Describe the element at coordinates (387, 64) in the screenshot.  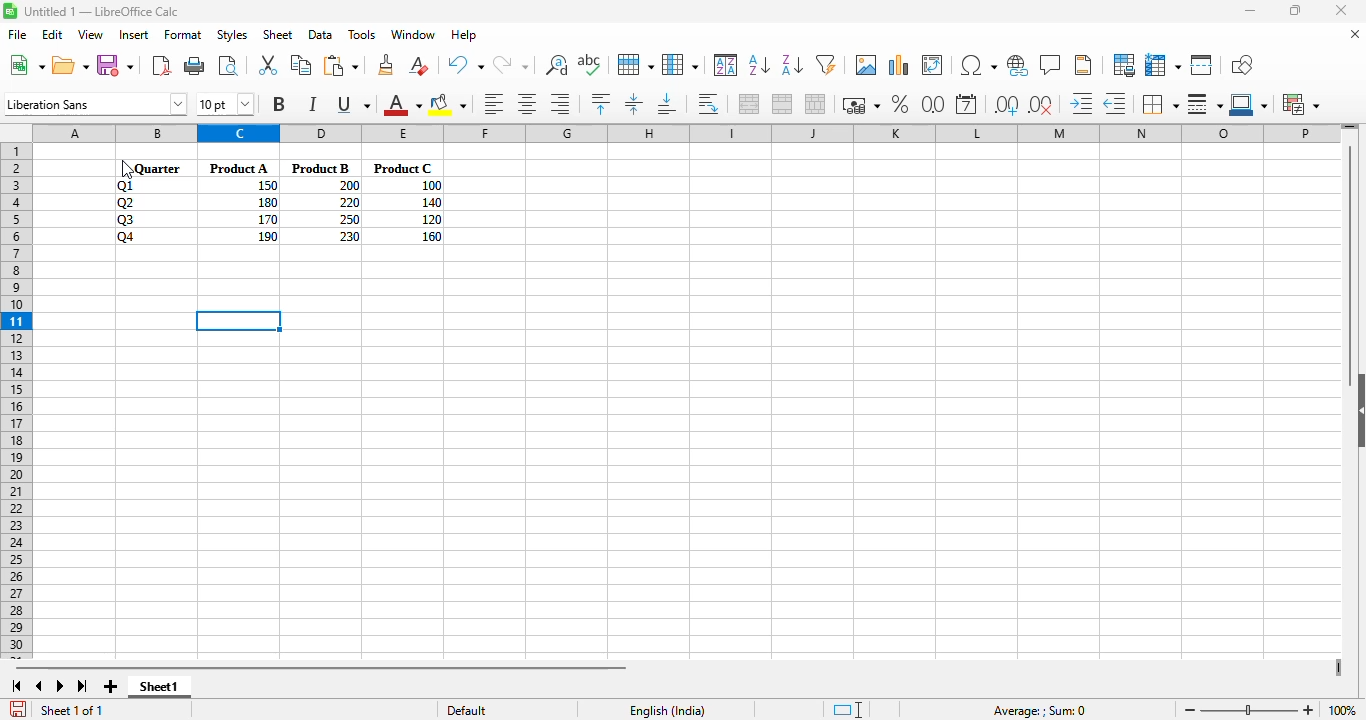
I see `clone formatting` at that location.